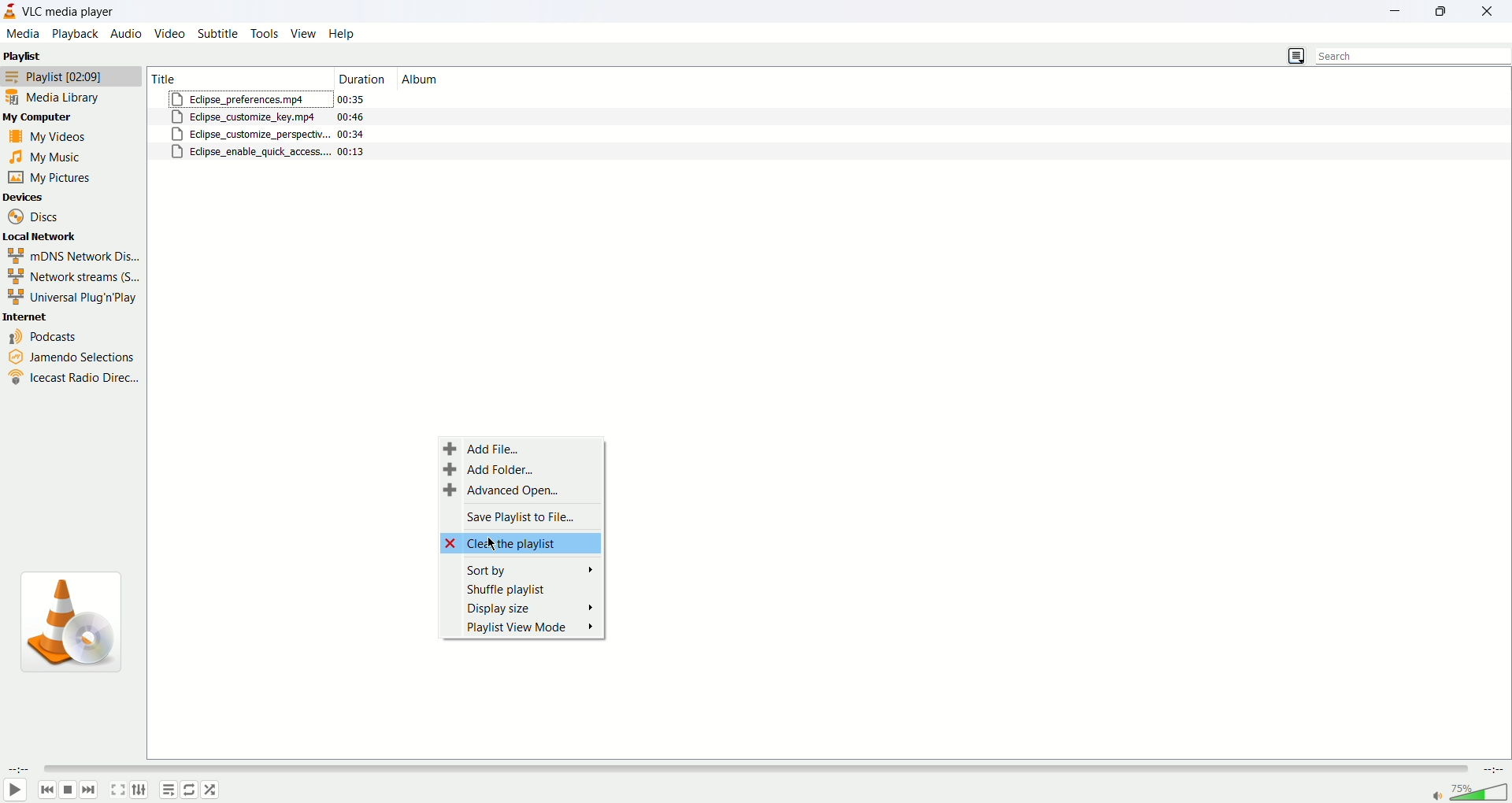 This screenshot has width=1512, height=803. Describe the element at coordinates (24, 57) in the screenshot. I see `playlist` at that location.